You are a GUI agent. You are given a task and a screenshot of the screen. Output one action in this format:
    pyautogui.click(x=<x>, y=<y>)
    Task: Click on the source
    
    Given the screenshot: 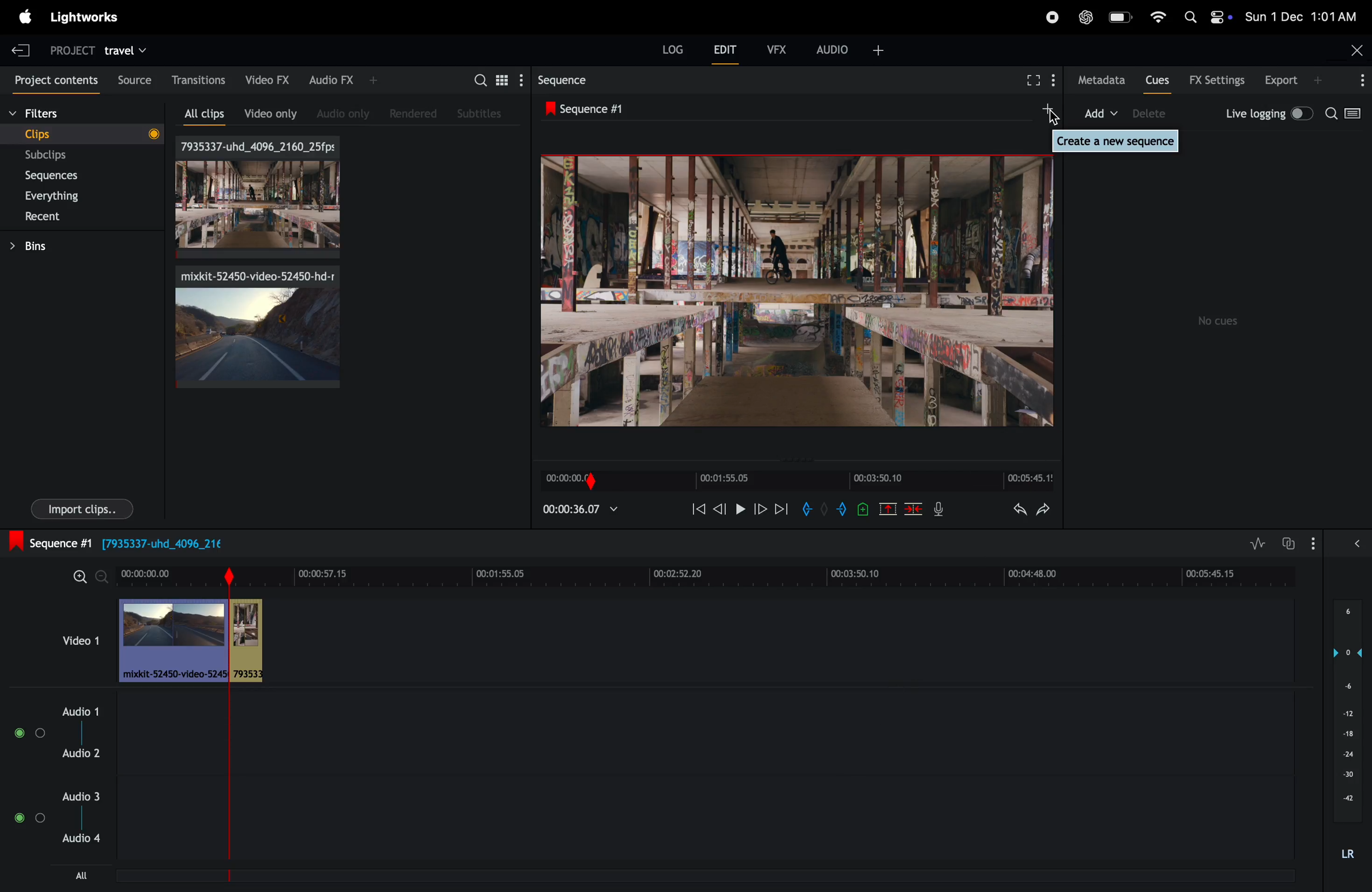 What is the action you would take?
    pyautogui.click(x=133, y=79)
    